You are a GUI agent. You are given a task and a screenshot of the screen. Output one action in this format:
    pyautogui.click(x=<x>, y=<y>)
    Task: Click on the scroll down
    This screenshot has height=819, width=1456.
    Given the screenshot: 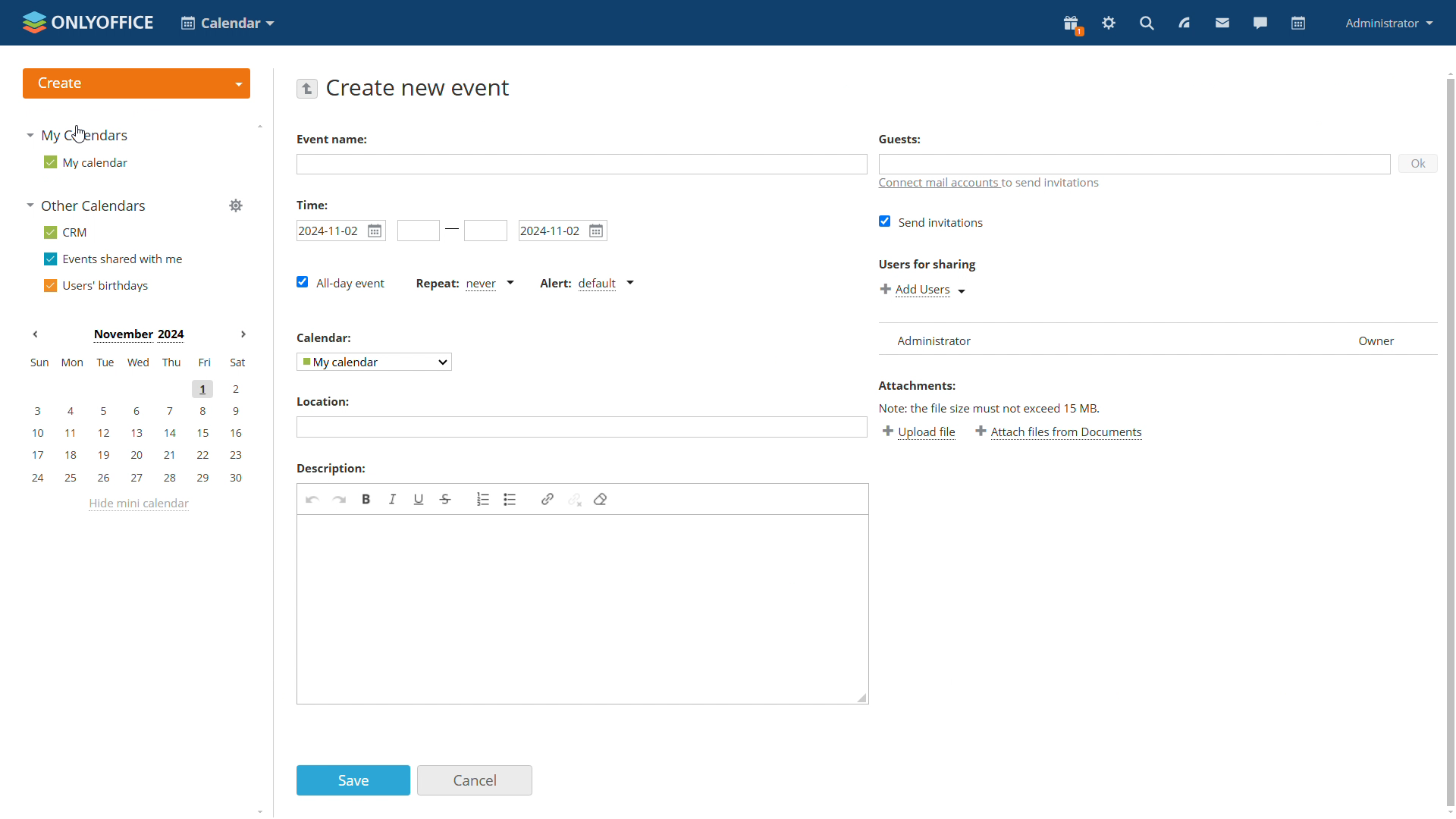 What is the action you would take?
    pyautogui.click(x=1447, y=813)
    